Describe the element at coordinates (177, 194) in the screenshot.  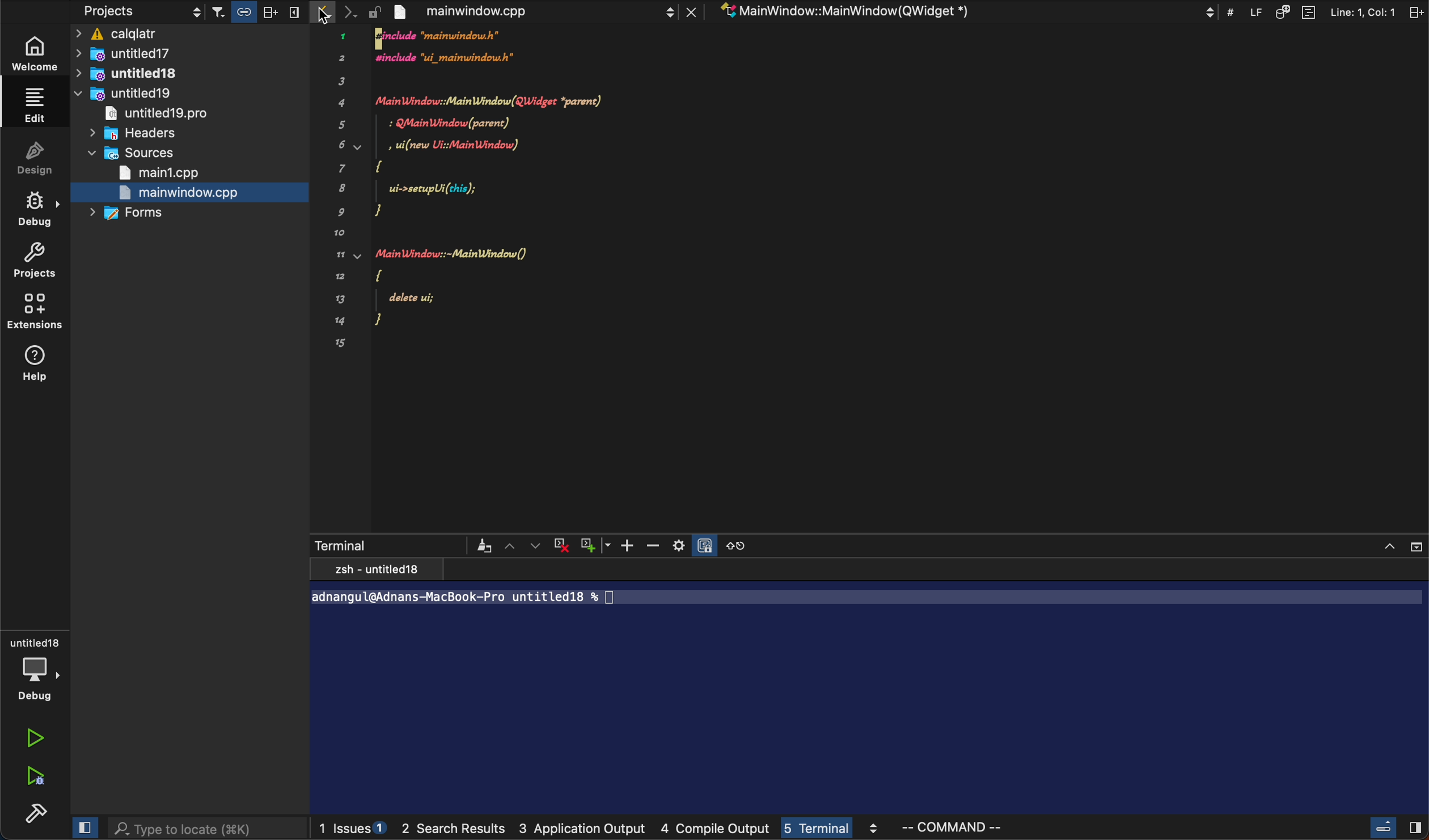
I see `main window.cpp` at that location.